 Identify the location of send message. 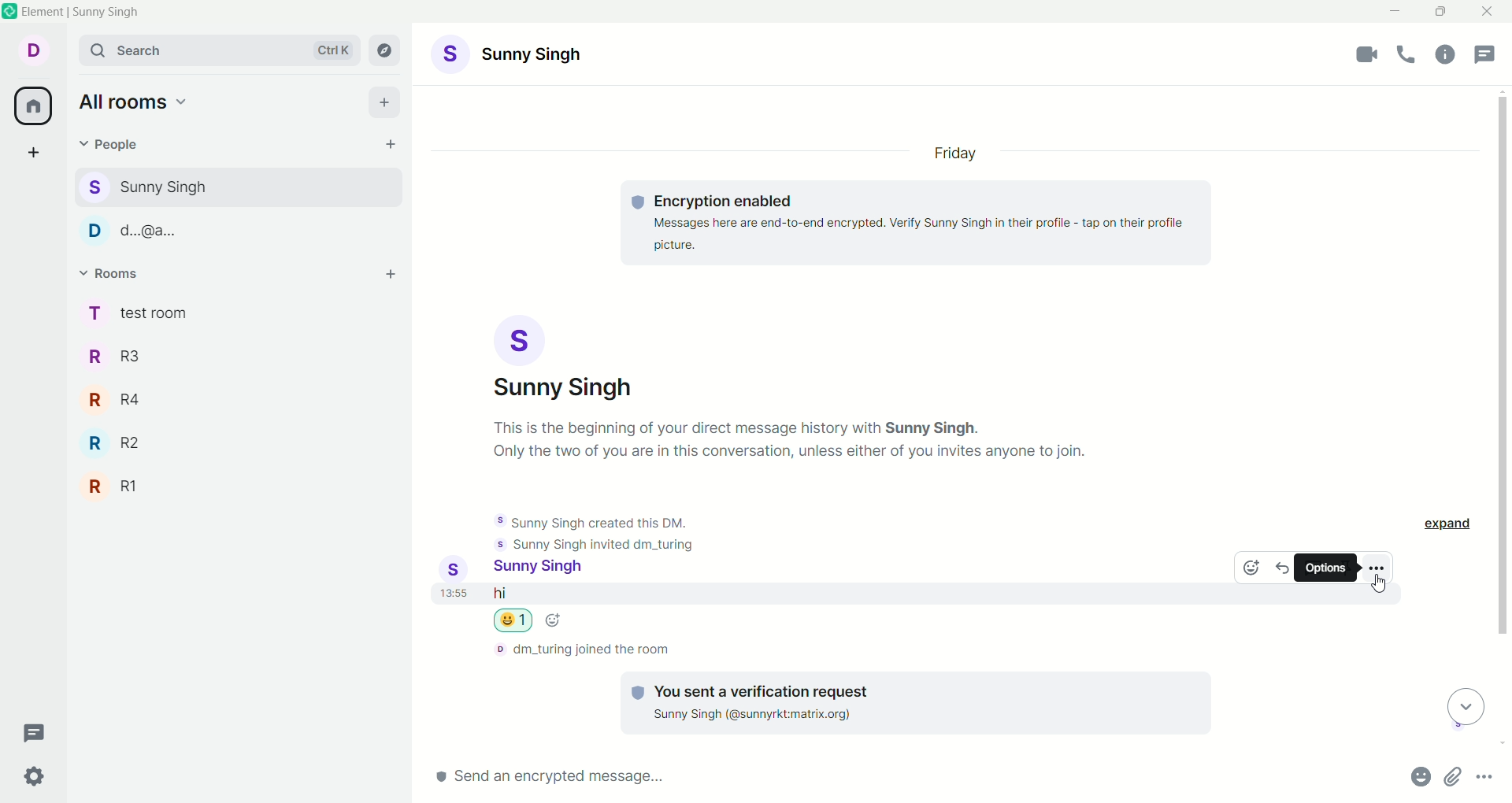
(636, 780).